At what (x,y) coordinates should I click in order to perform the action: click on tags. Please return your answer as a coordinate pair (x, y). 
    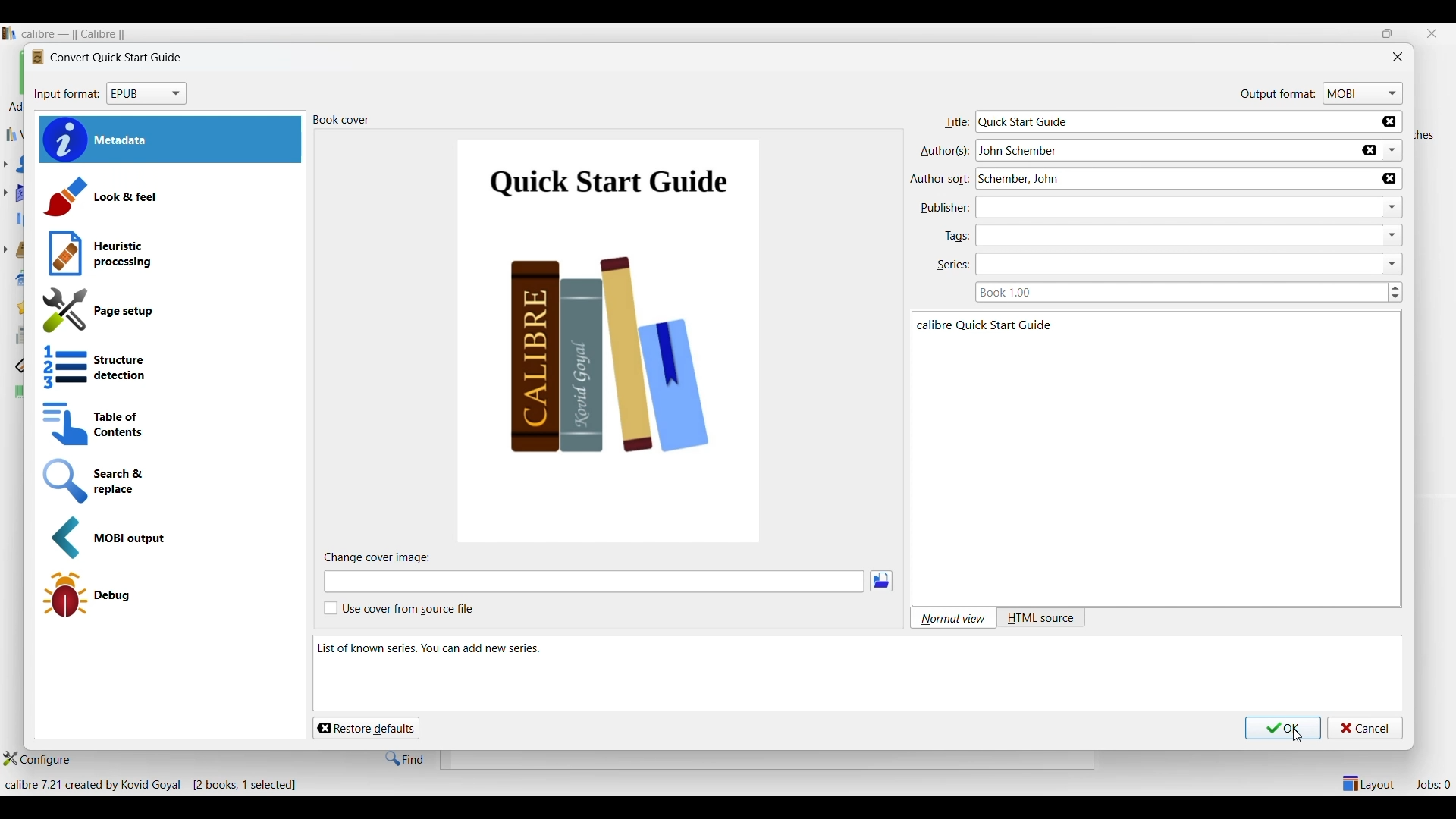
    Looking at the image, I should click on (956, 235).